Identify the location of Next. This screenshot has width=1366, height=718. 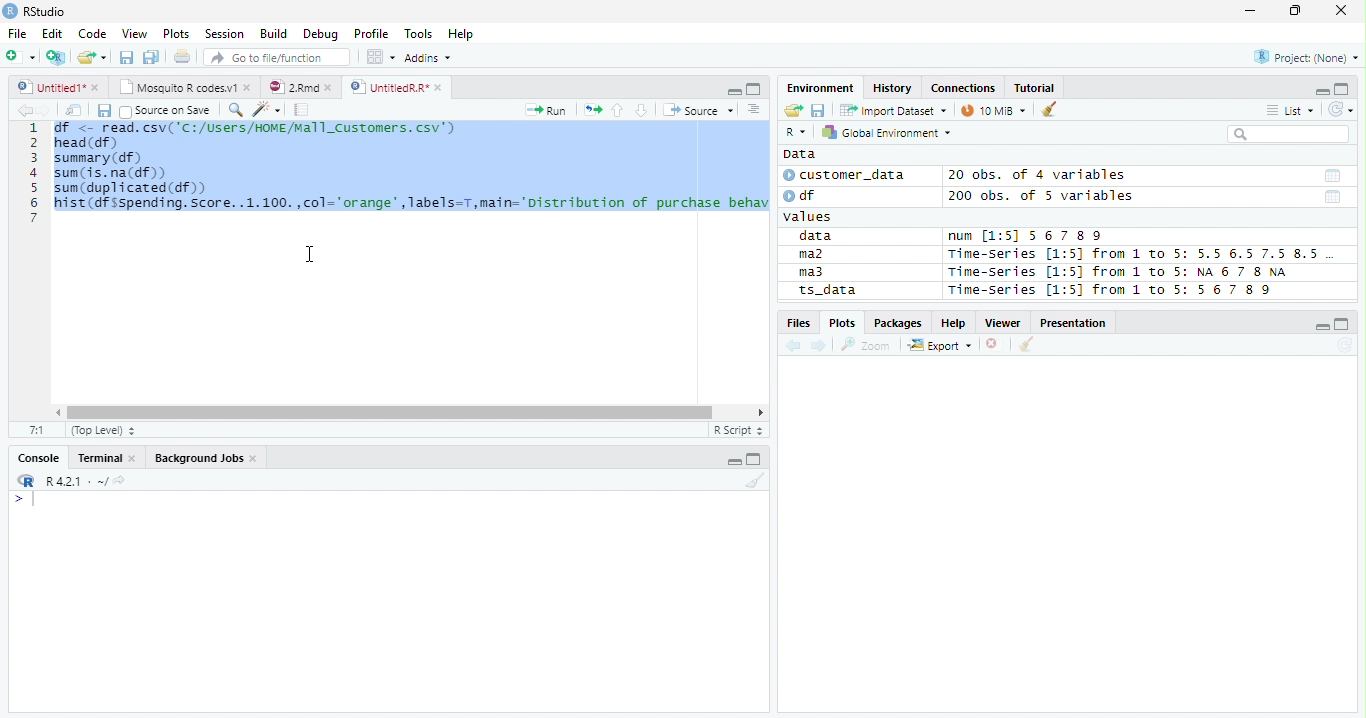
(45, 111).